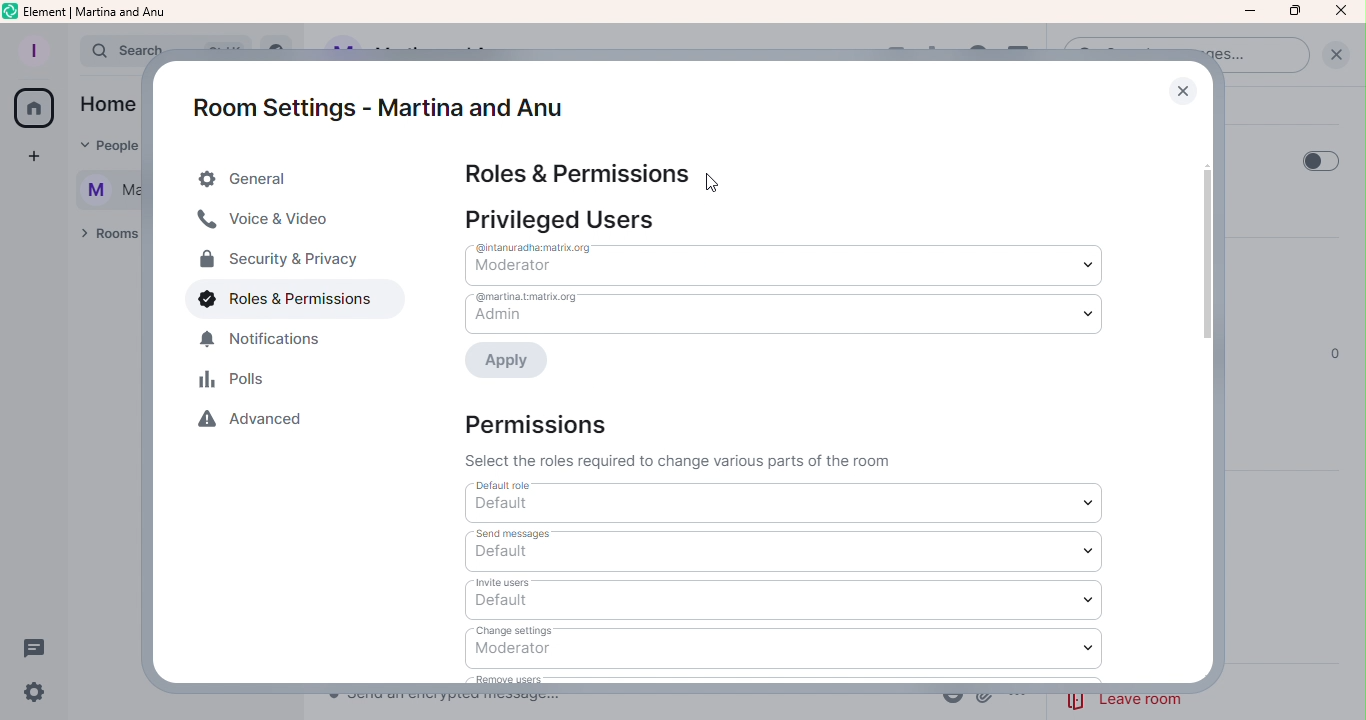  What do you see at coordinates (787, 647) in the screenshot?
I see `Change Settings` at bounding box center [787, 647].